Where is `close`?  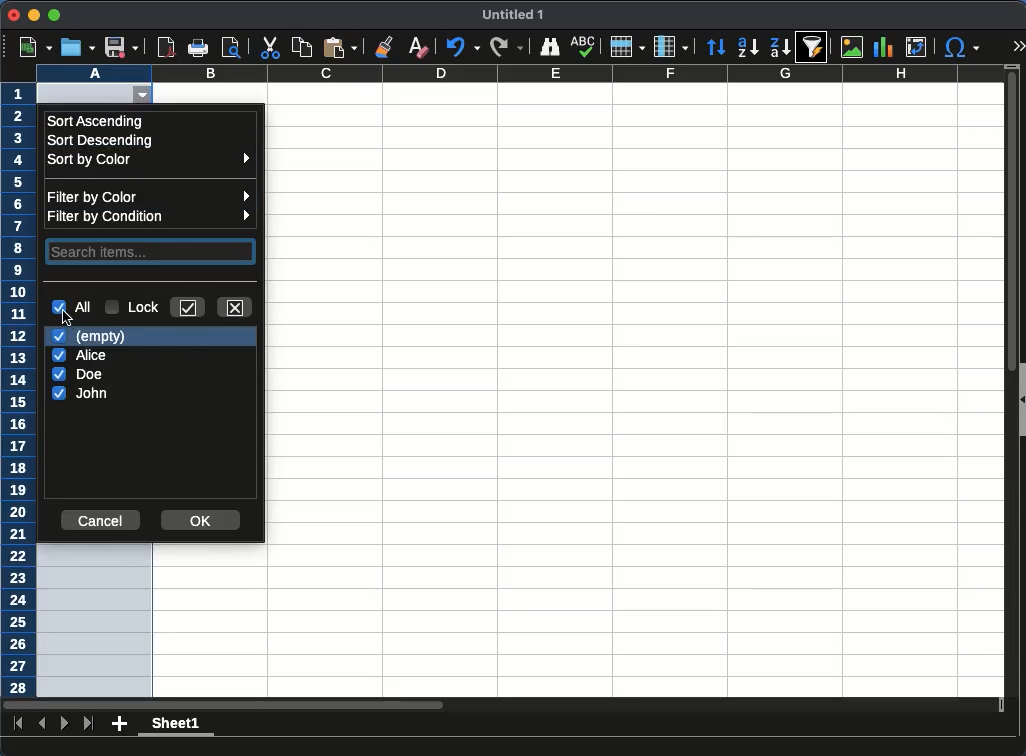
close is located at coordinates (14, 15).